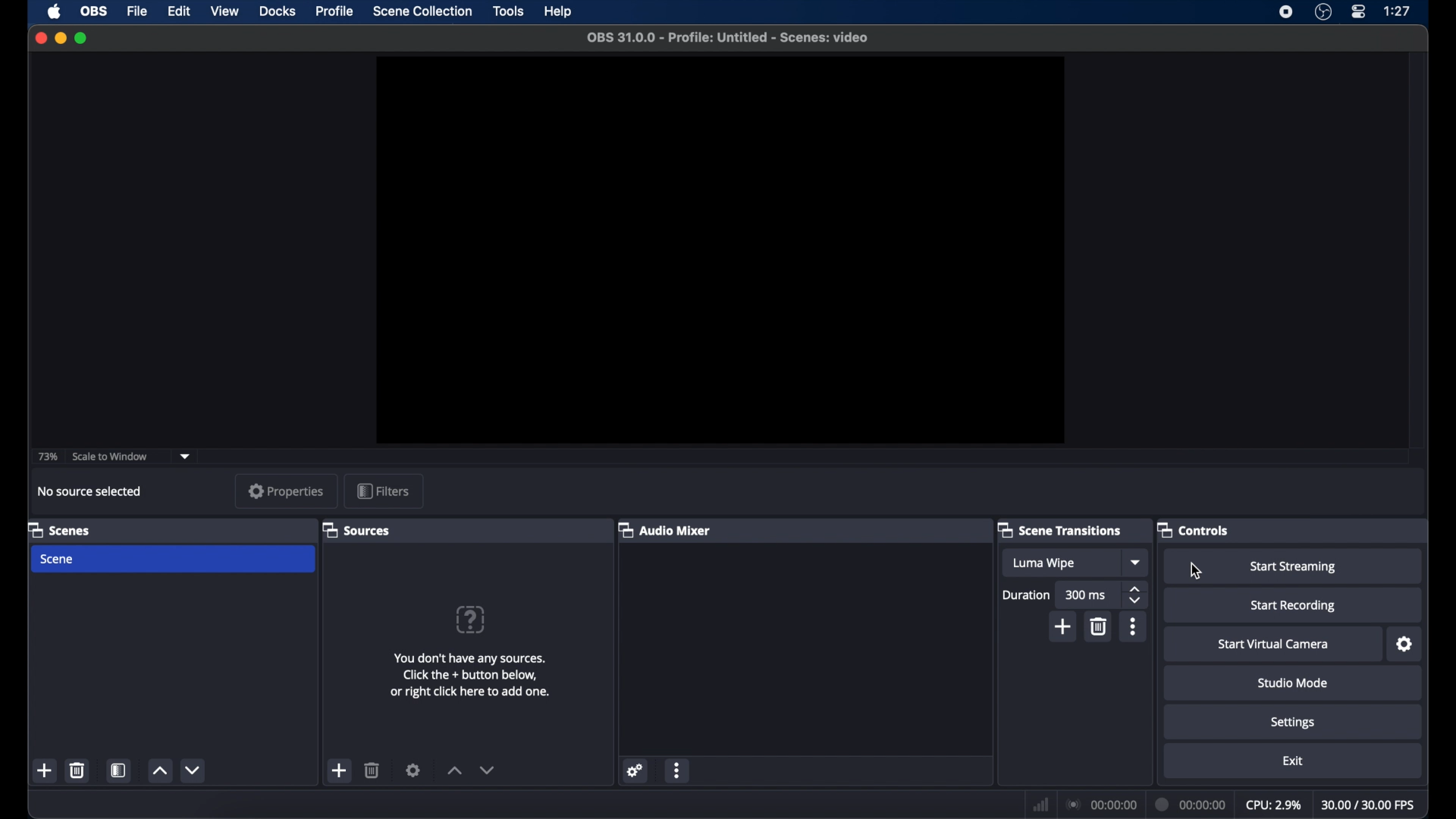 This screenshot has width=1456, height=819. I want to click on exit, so click(1292, 761).